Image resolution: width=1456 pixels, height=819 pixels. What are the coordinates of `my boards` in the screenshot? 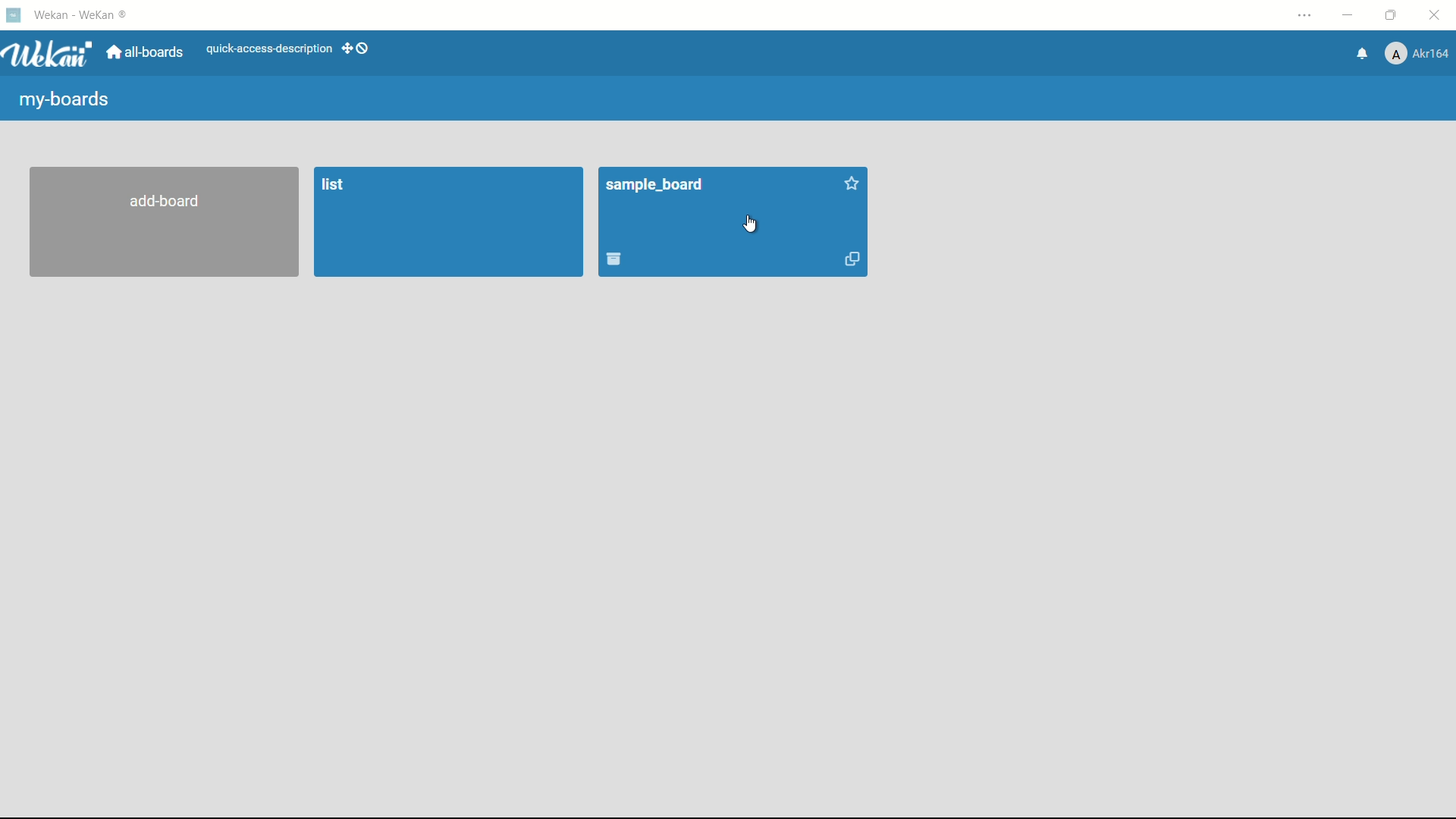 It's located at (63, 101).